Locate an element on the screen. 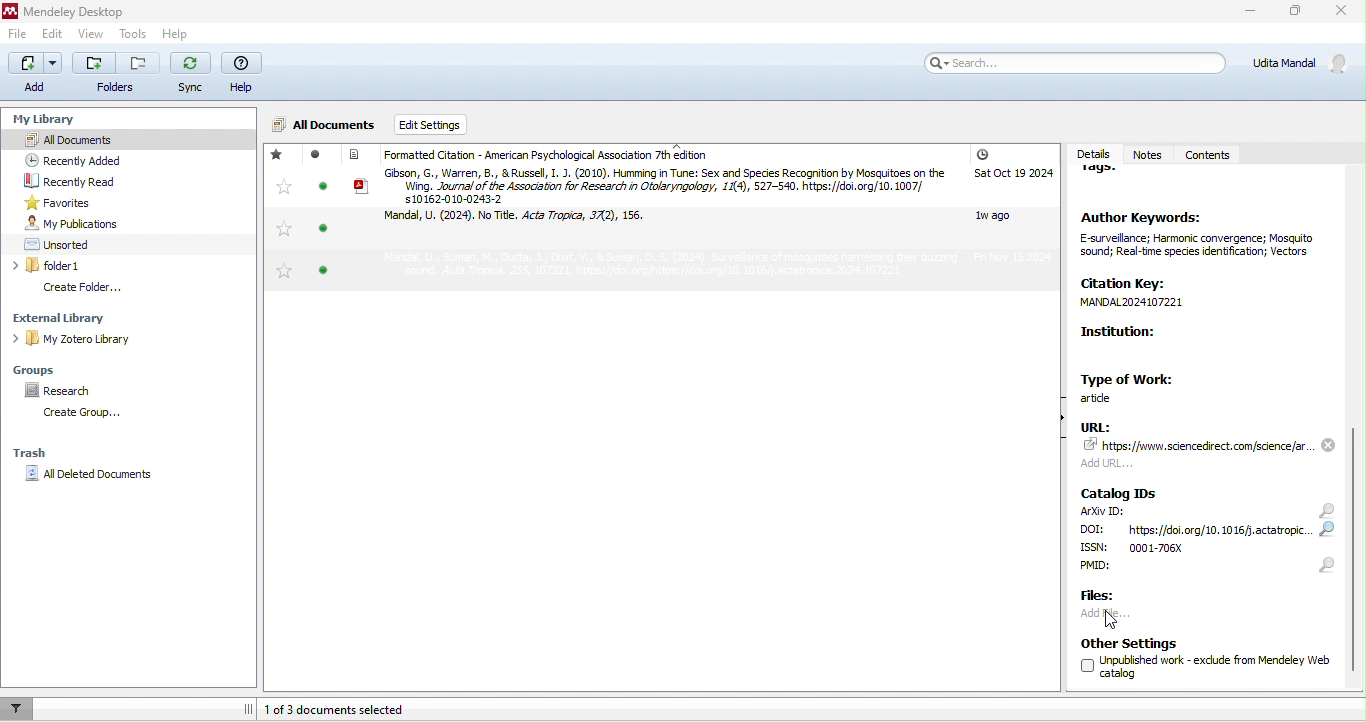 This screenshot has height=722, width=1366. 1 of 3 documents selected is located at coordinates (360, 708).